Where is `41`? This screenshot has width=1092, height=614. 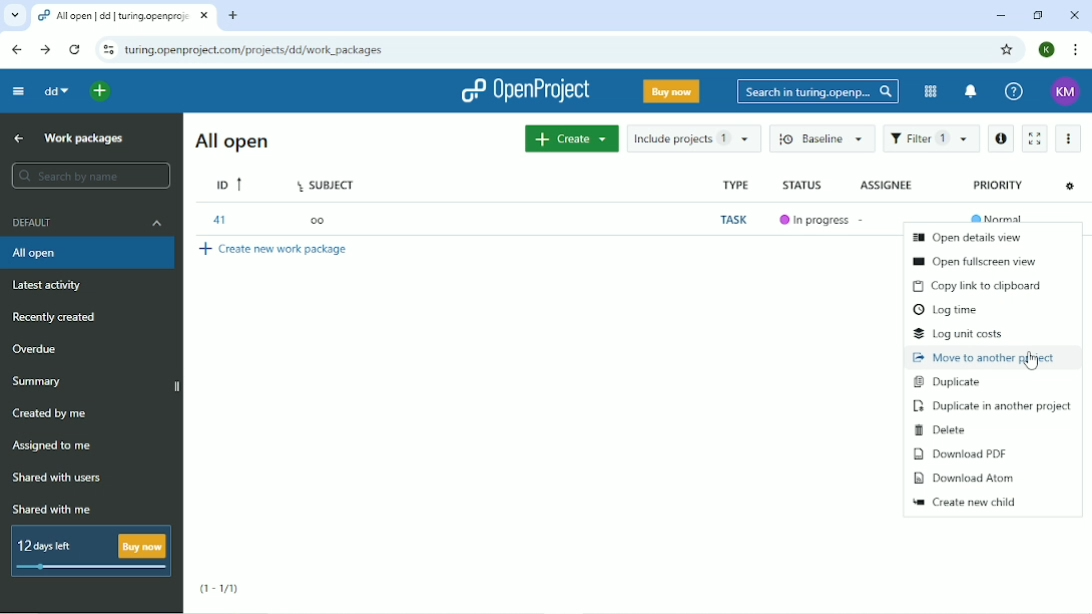
41 is located at coordinates (218, 220).